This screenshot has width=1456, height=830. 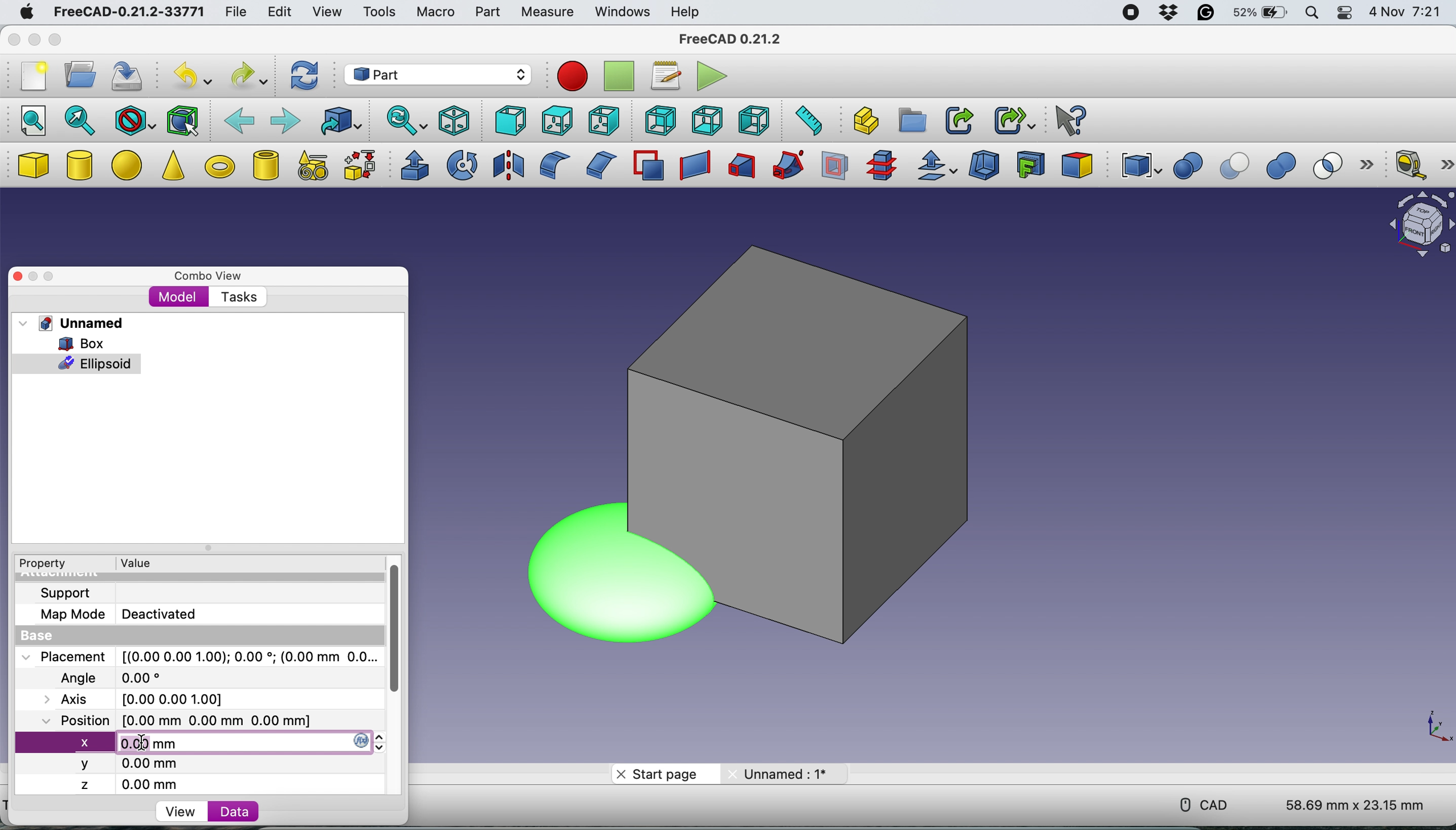 What do you see at coordinates (1139, 166) in the screenshot?
I see `compound tools` at bounding box center [1139, 166].